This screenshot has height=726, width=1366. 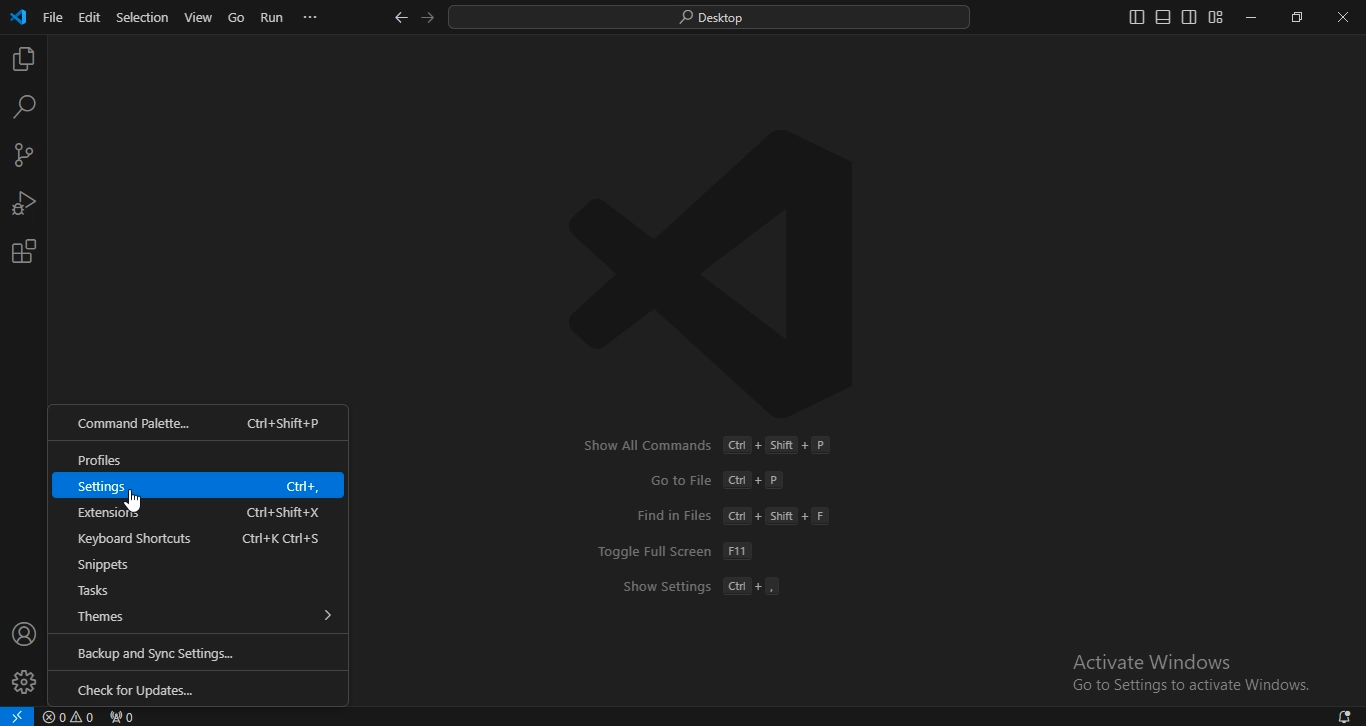 I want to click on go, so click(x=237, y=17).